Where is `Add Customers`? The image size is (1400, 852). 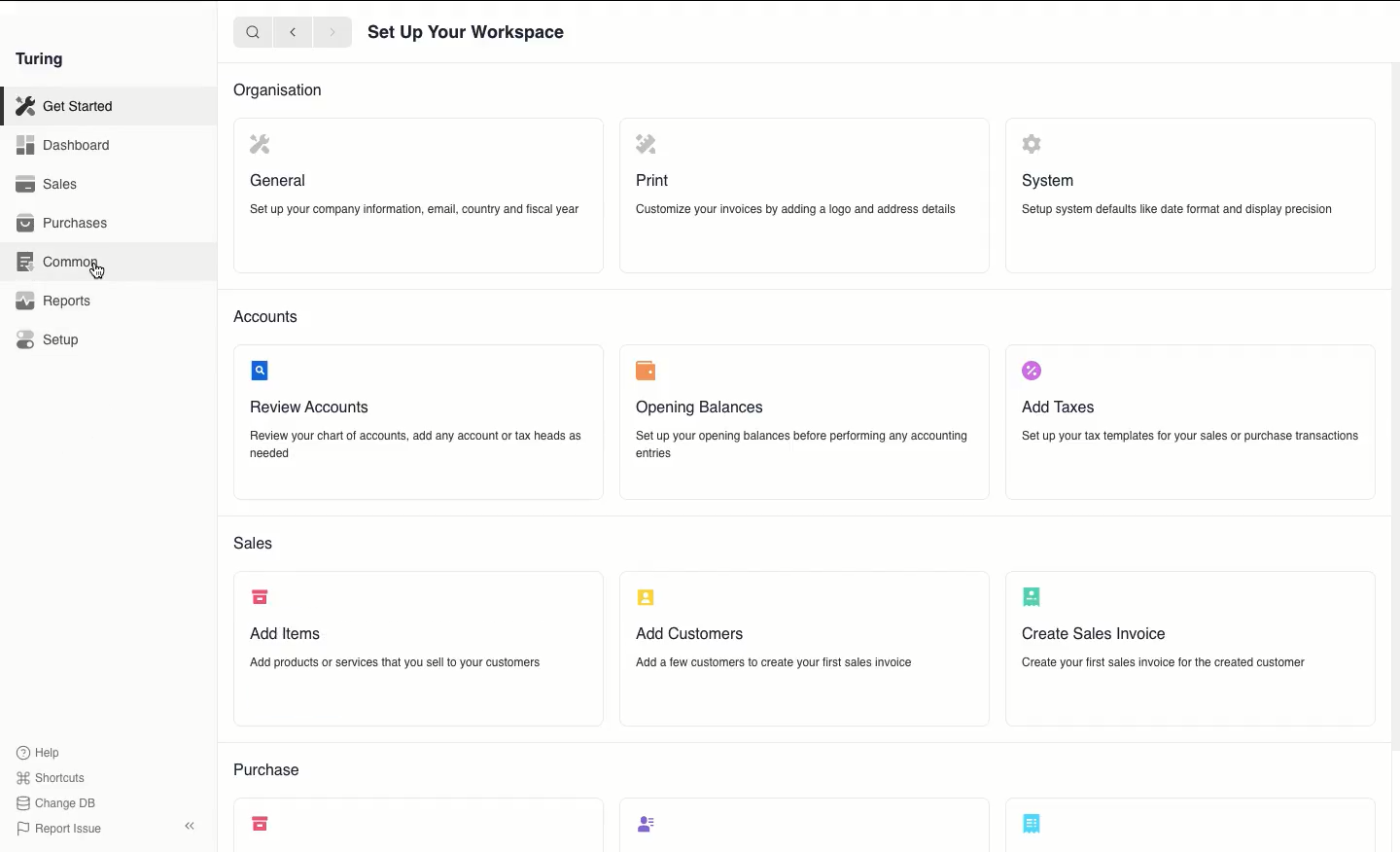 Add Customers is located at coordinates (693, 615).